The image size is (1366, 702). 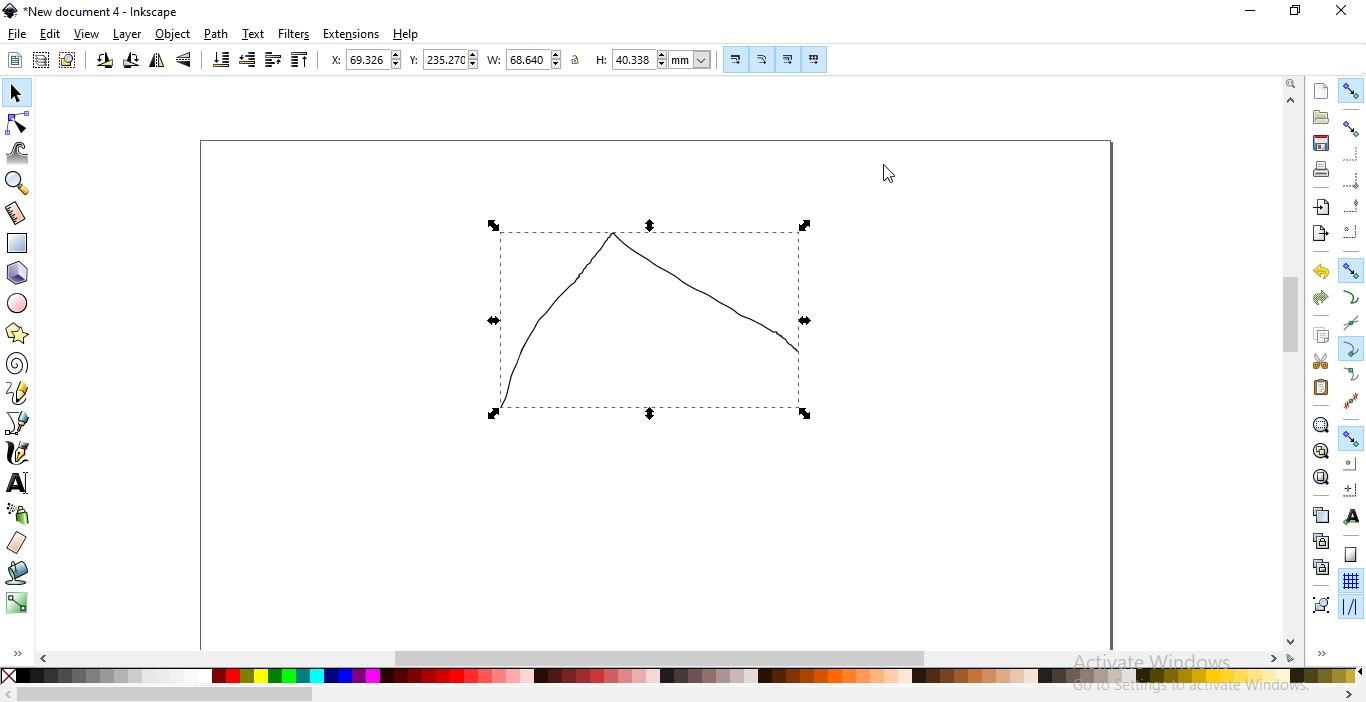 What do you see at coordinates (184, 59) in the screenshot?
I see `flip vertically` at bounding box center [184, 59].